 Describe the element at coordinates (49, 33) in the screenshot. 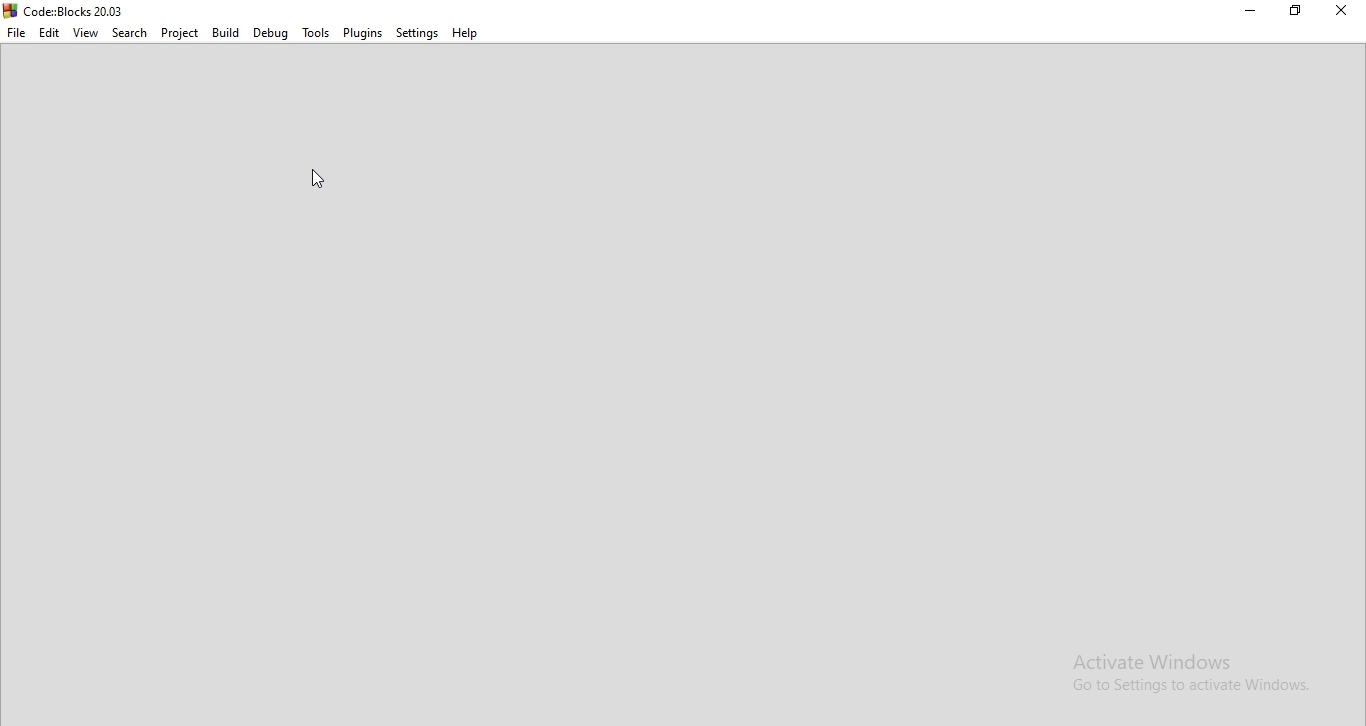

I see `Edit ` at that location.